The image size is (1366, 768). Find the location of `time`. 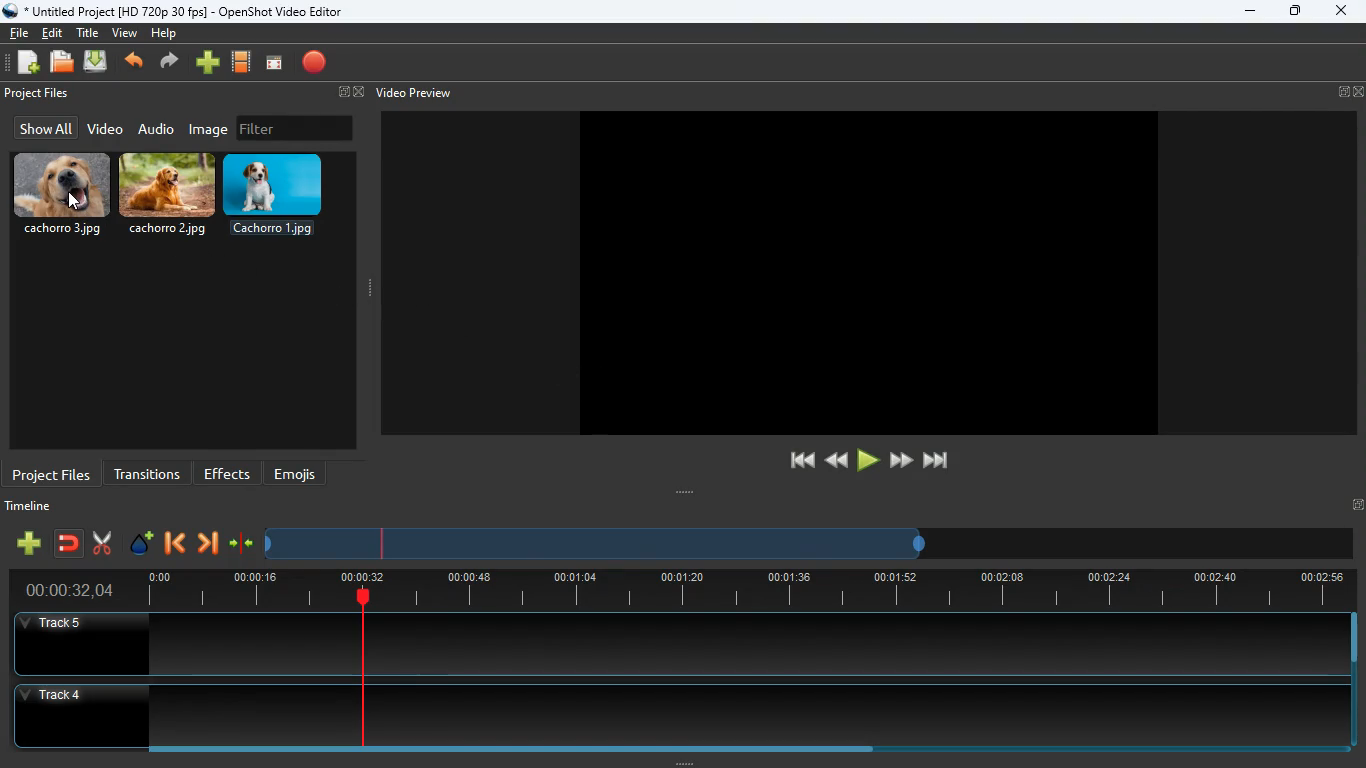

time is located at coordinates (61, 590).